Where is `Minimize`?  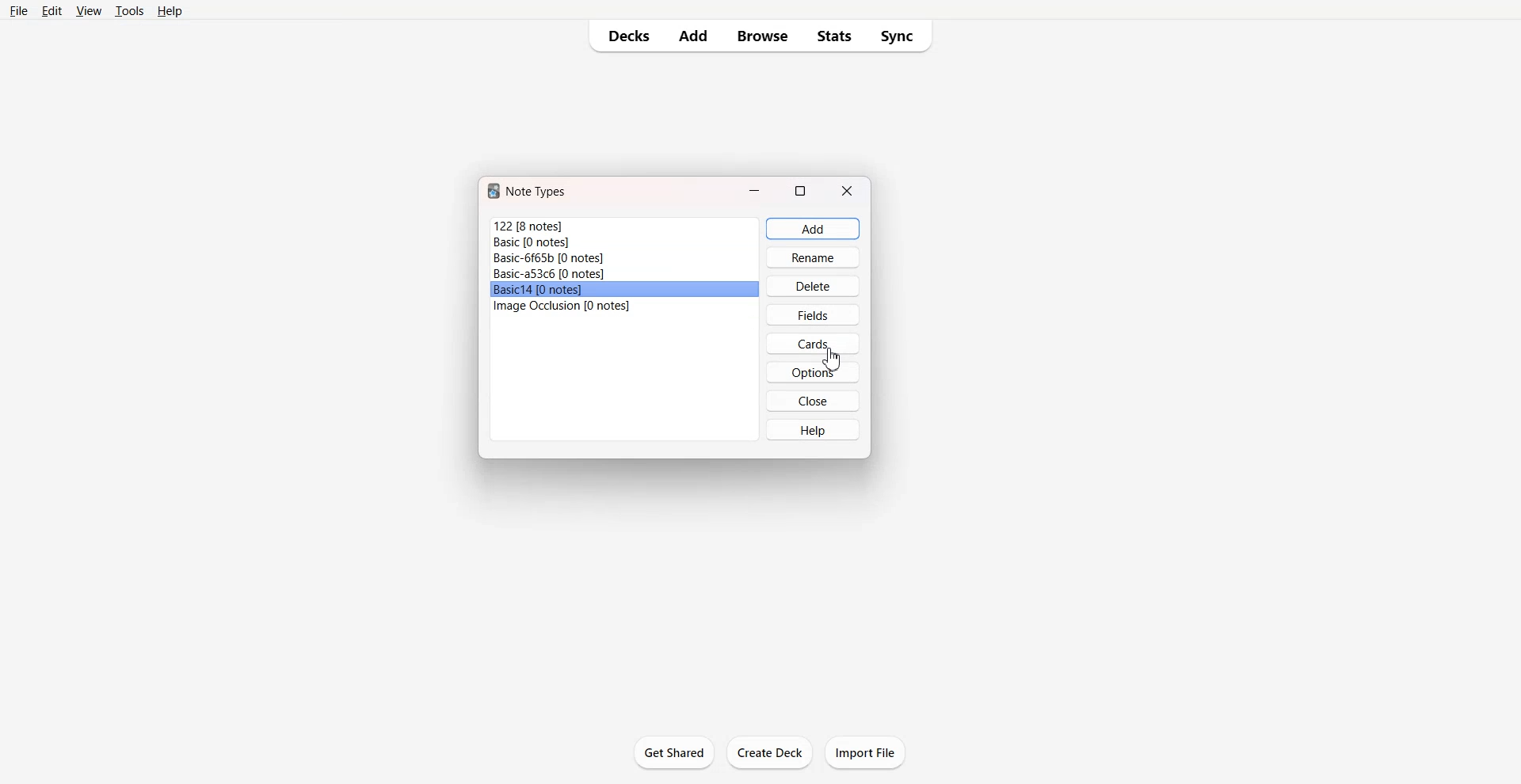 Minimize is located at coordinates (755, 189).